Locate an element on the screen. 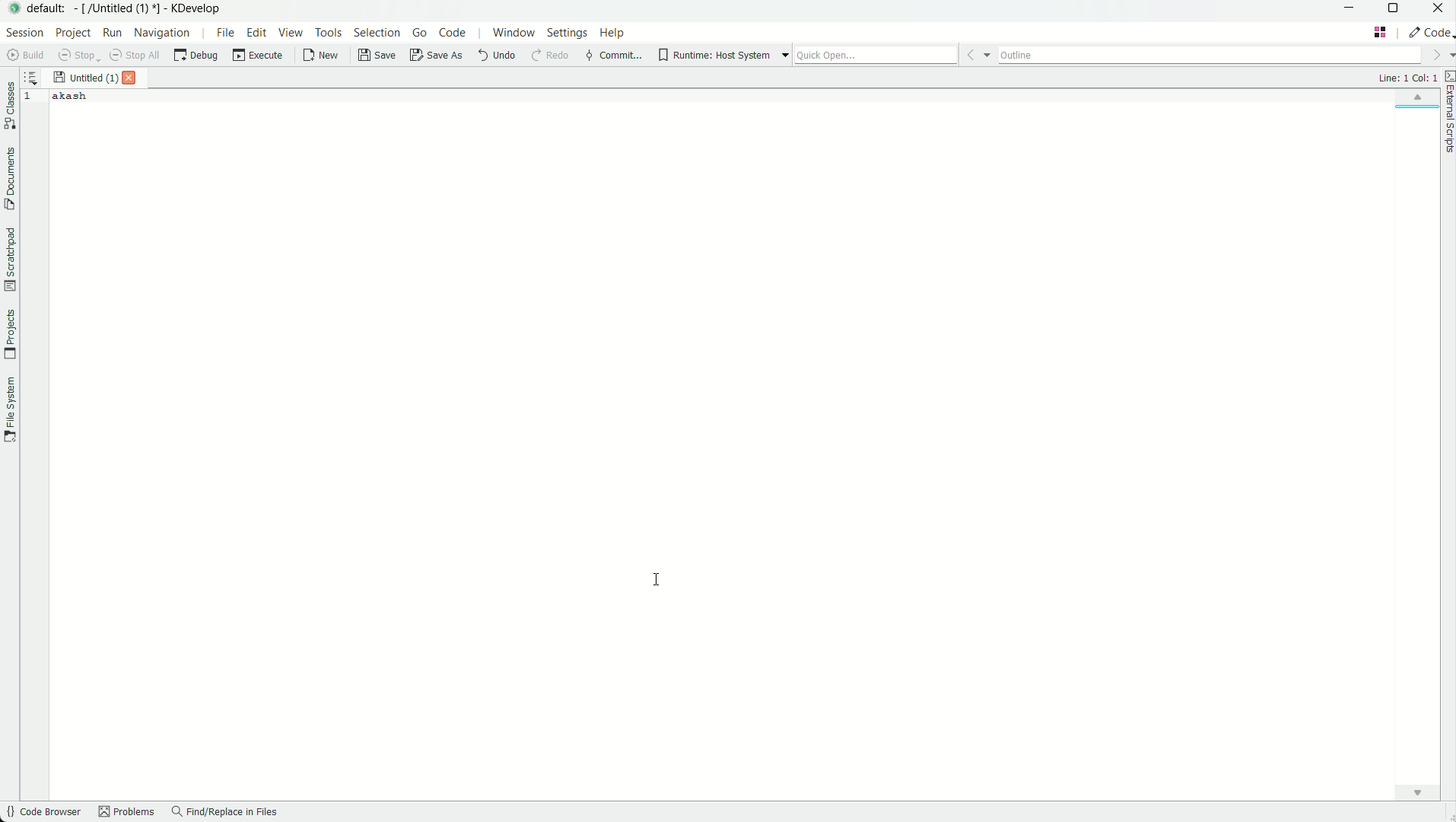 This screenshot has width=1456, height=822. undo is located at coordinates (495, 56).